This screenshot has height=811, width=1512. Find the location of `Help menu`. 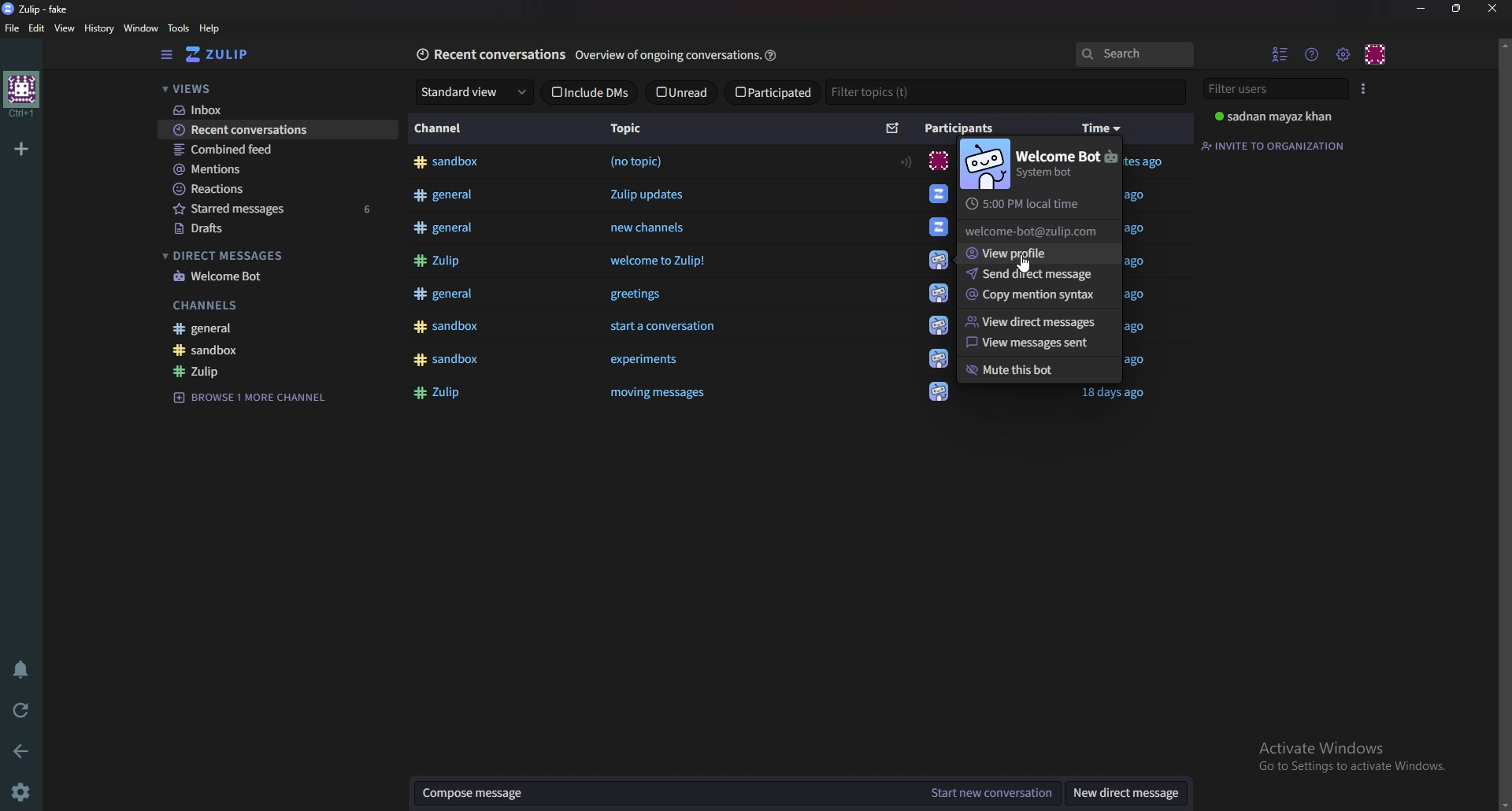

Help menu is located at coordinates (1310, 54).